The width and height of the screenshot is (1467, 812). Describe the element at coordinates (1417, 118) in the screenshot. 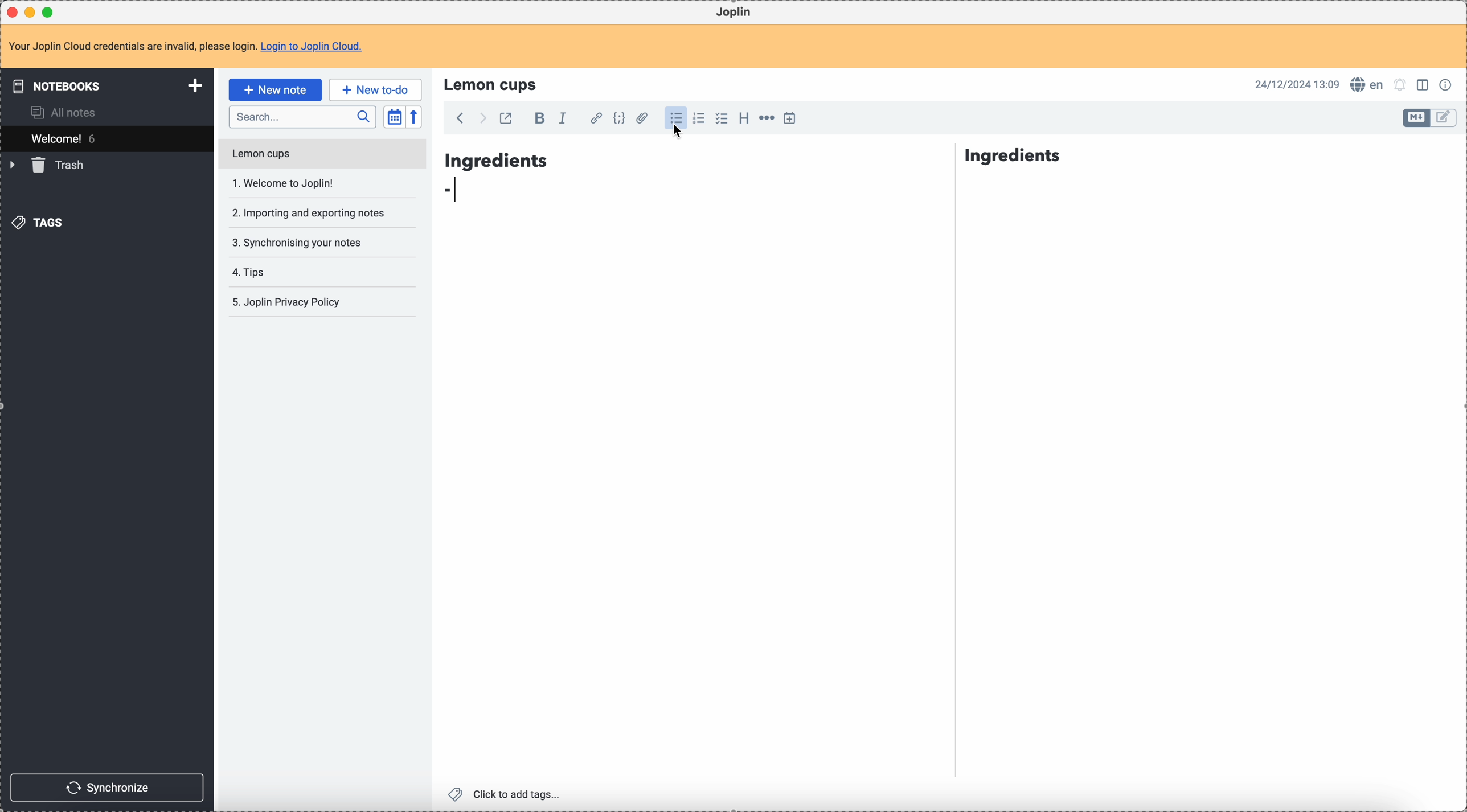

I see `toggle edit layout` at that location.